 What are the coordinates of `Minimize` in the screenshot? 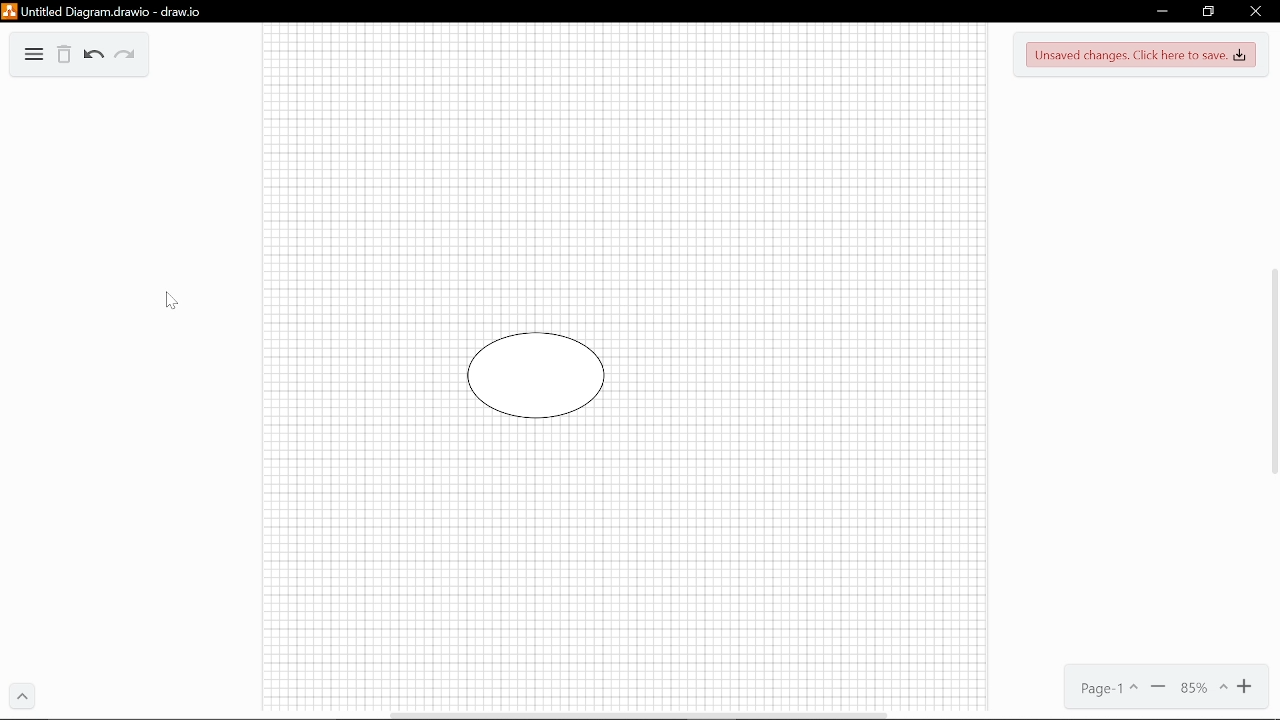 It's located at (1159, 13).